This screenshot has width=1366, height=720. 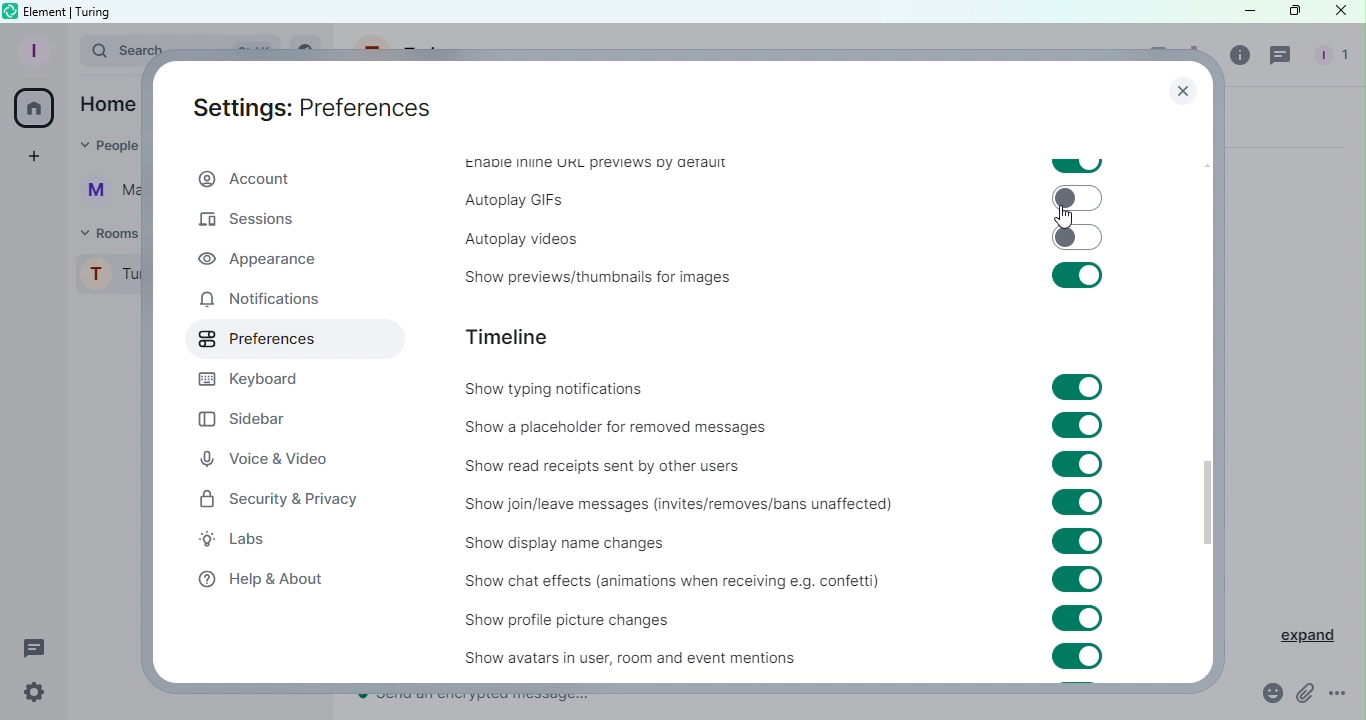 What do you see at coordinates (108, 103) in the screenshot?
I see `Home ` at bounding box center [108, 103].